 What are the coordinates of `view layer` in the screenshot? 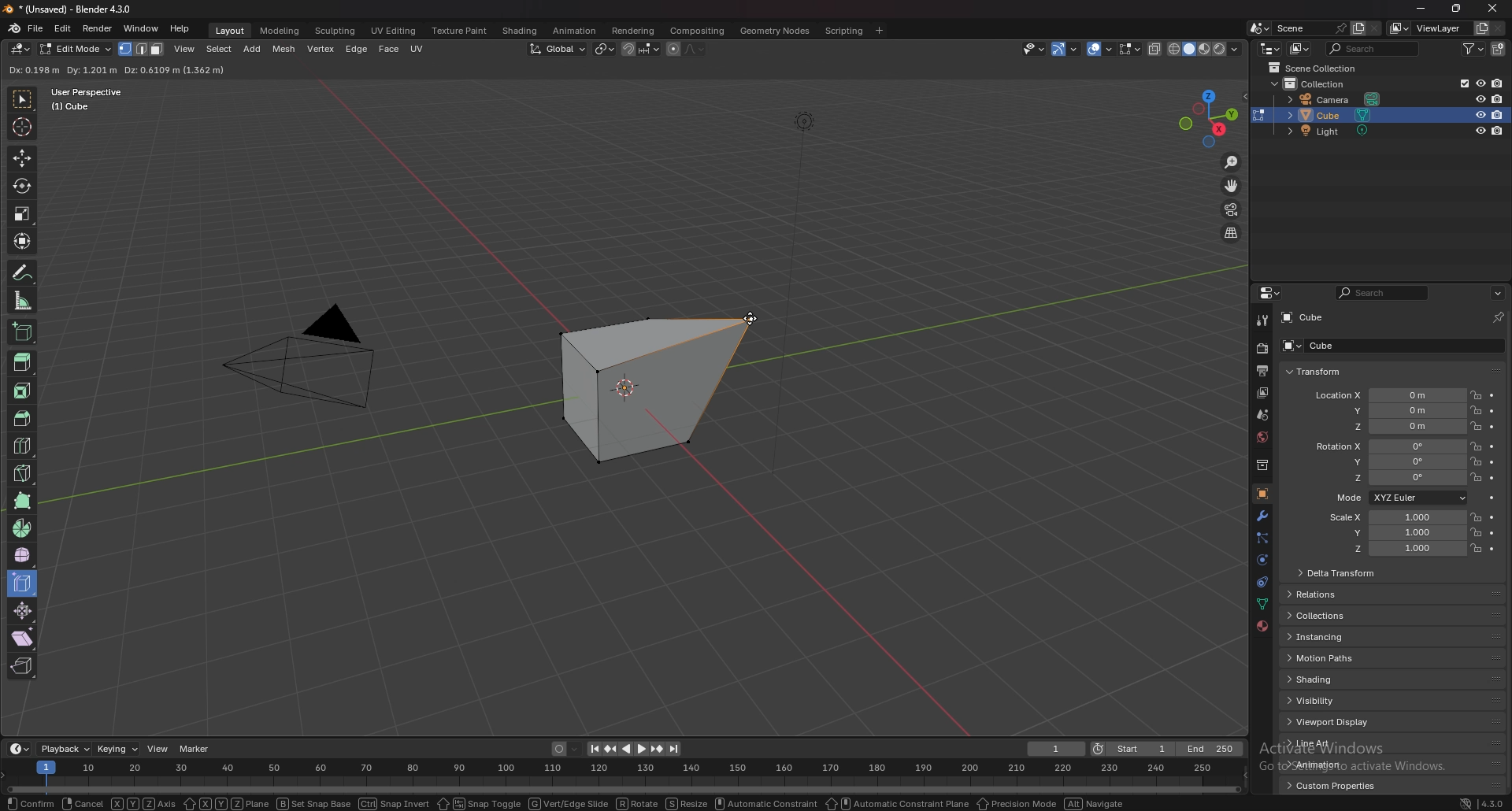 It's located at (1261, 393).